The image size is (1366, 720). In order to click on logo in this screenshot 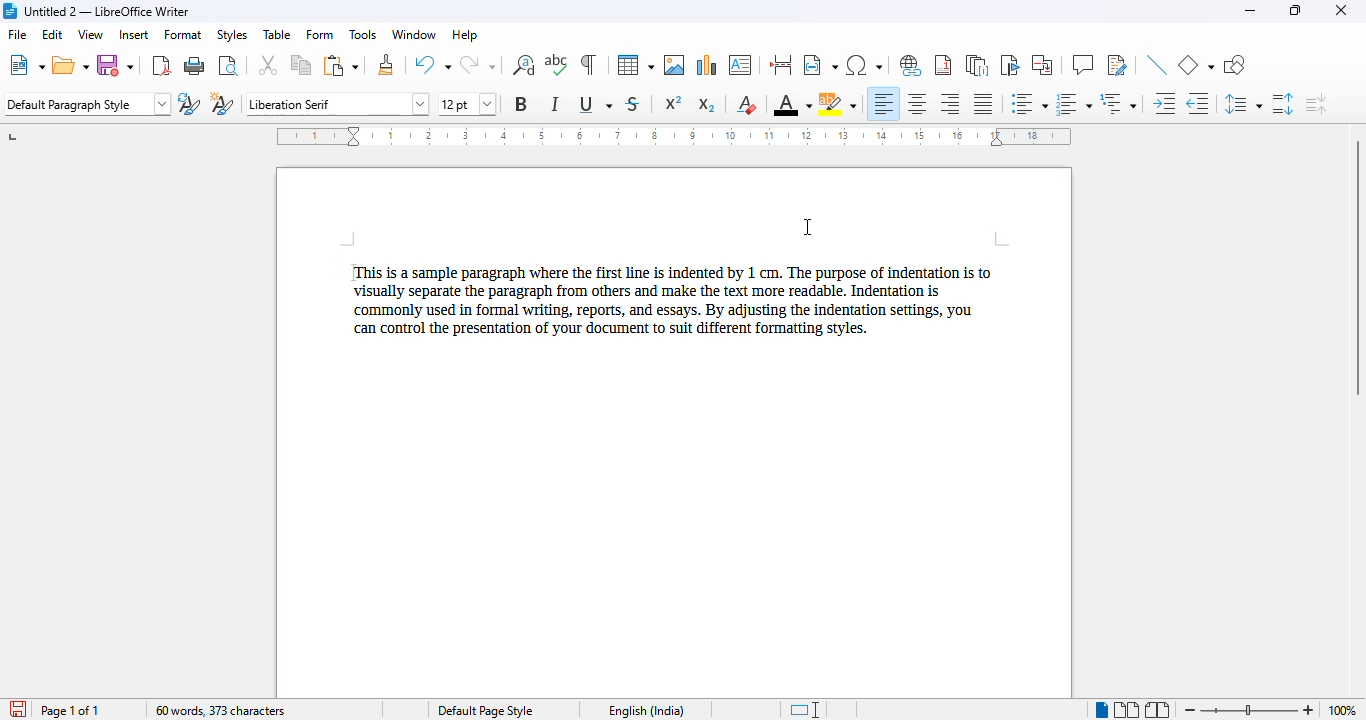, I will do `click(9, 11)`.